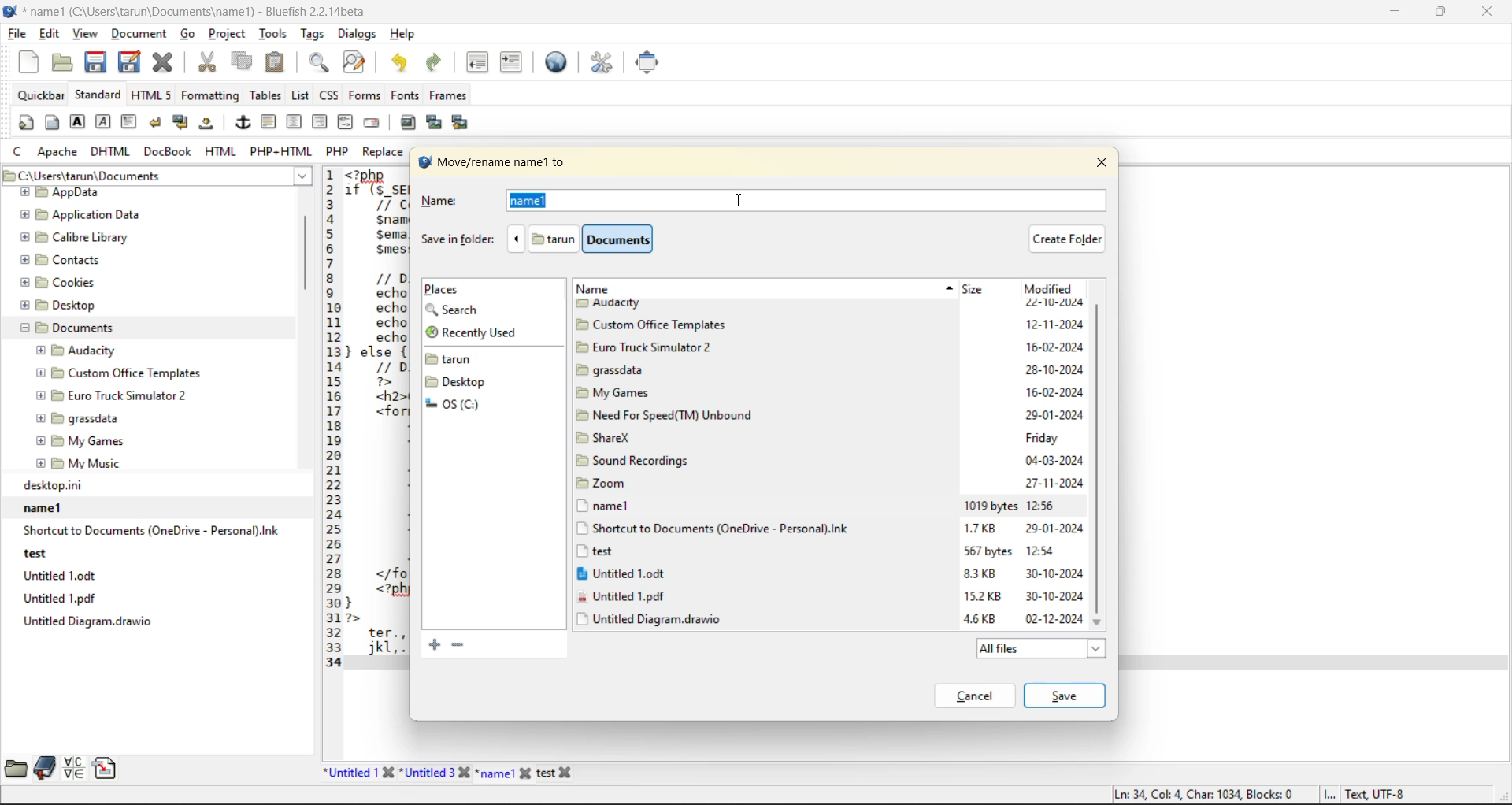 This screenshot has height=805, width=1512. Describe the element at coordinates (320, 61) in the screenshot. I see `find` at that location.